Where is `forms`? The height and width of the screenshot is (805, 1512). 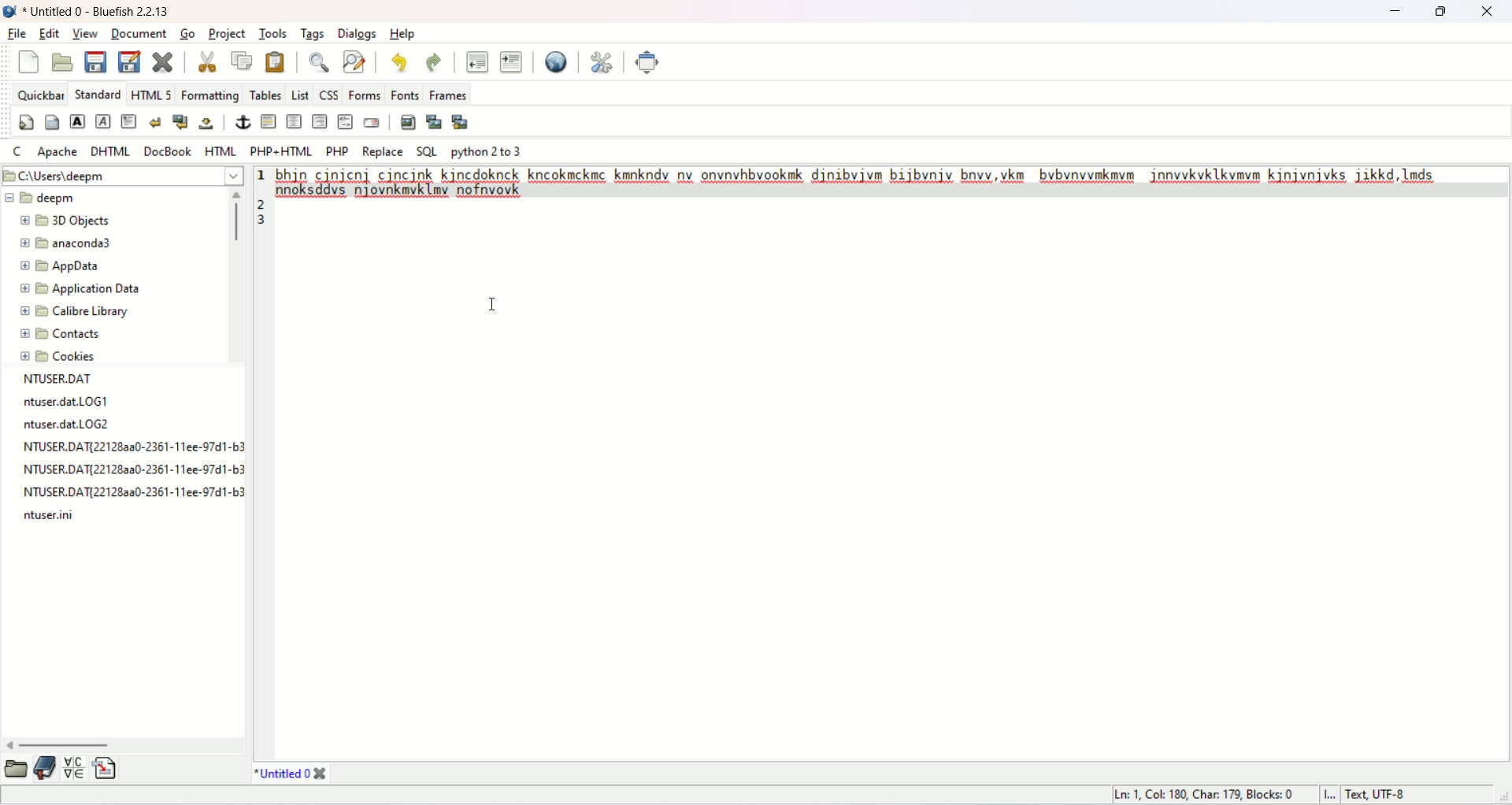 forms is located at coordinates (365, 95).